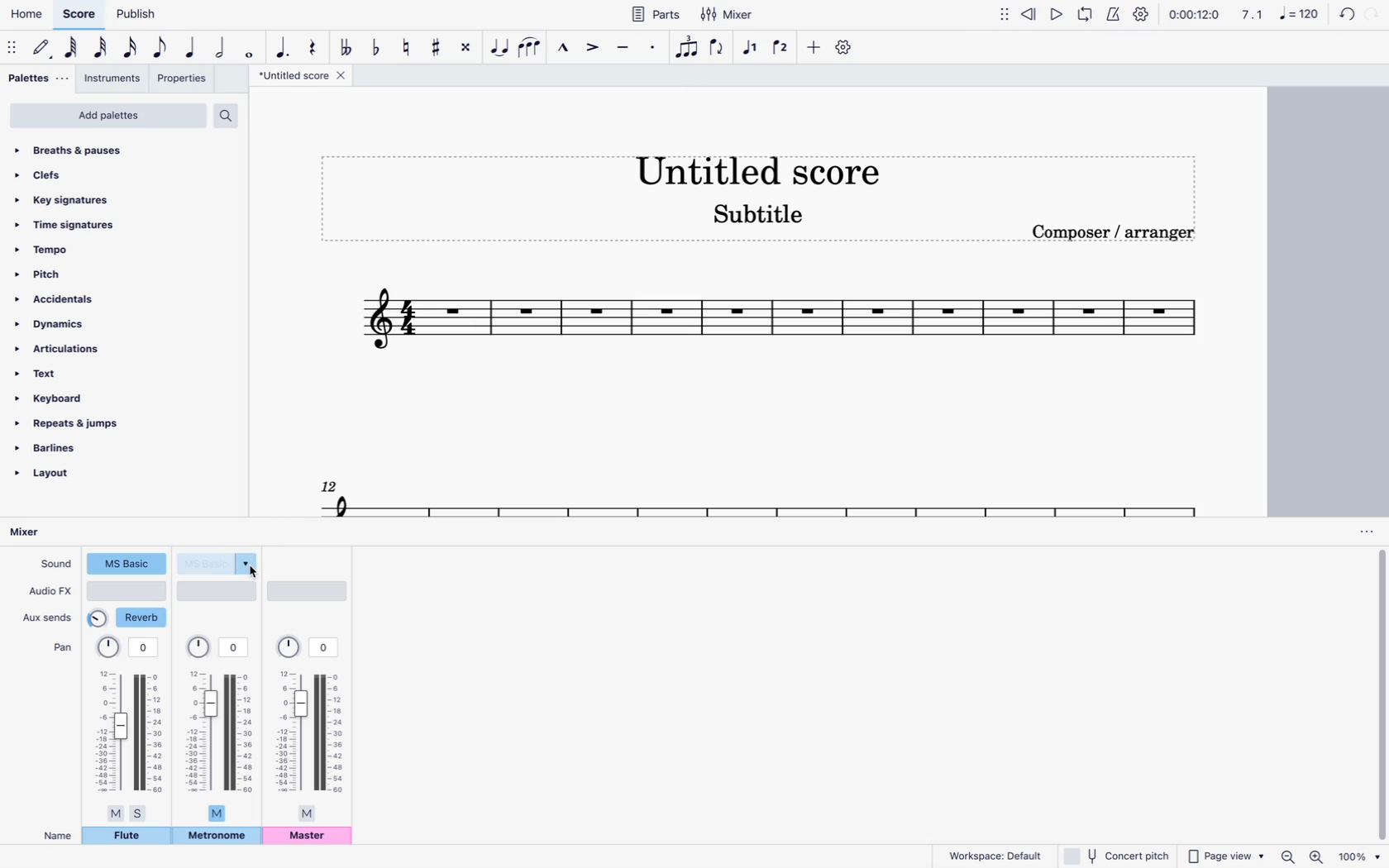 Image resolution: width=1389 pixels, height=868 pixels. Describe the element at coordinates (1029, 17) in the screenshot. I see `rewind` at that location.